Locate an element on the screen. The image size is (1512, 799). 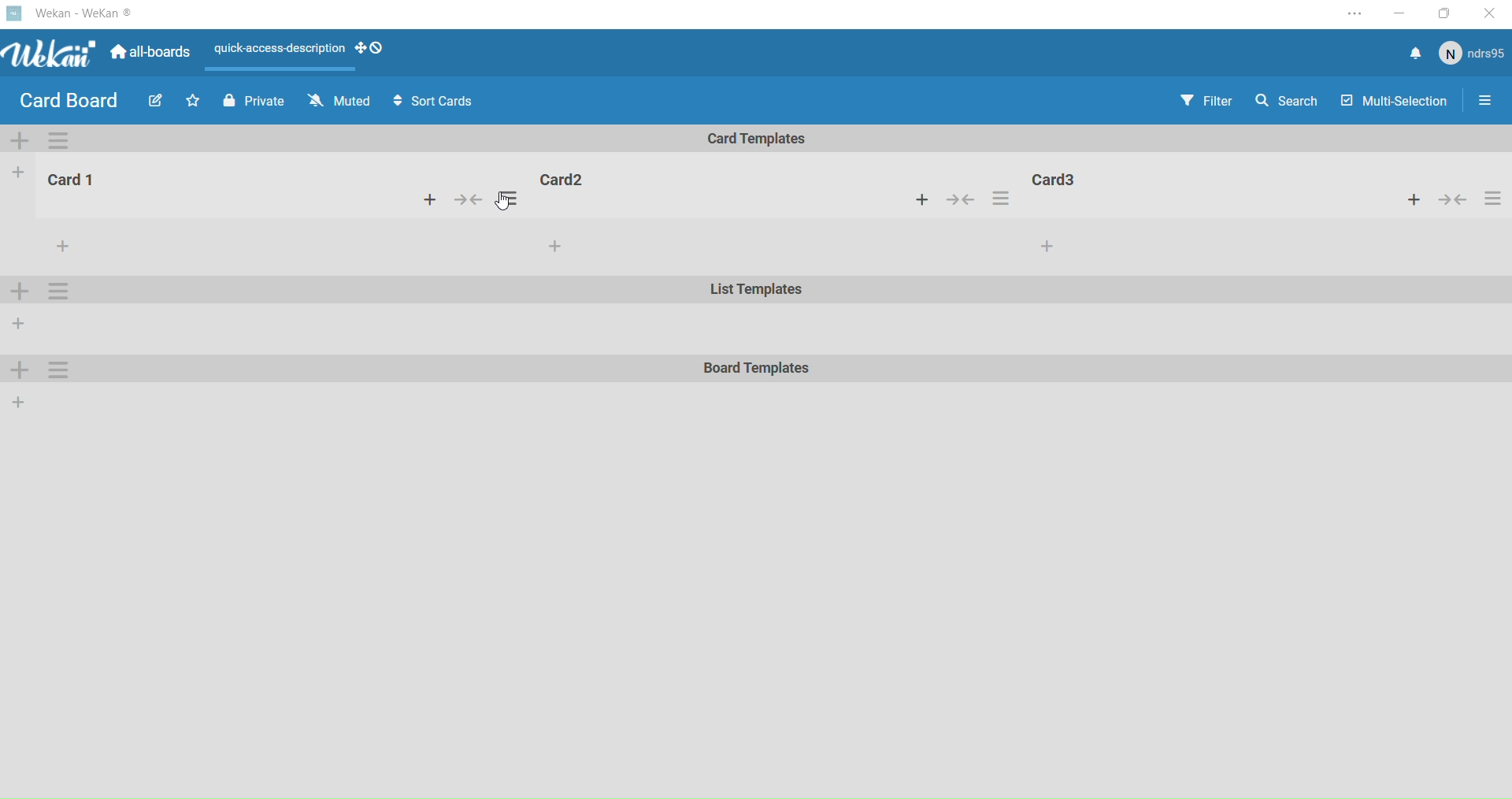
Actions is located at coordinates (281, 48).